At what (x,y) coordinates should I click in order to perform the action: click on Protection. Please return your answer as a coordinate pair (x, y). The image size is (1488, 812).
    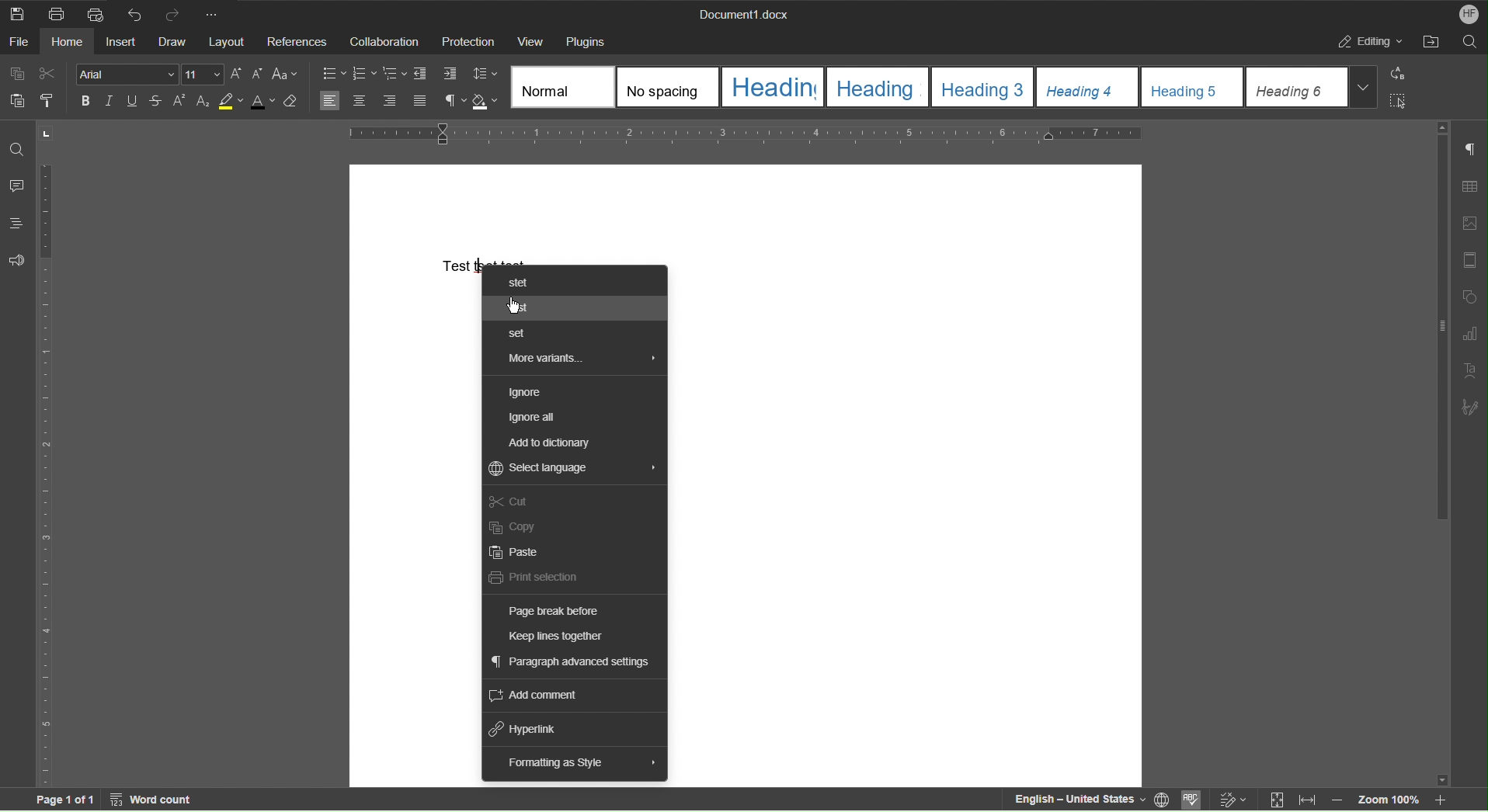
    Looking at the image, I should click on (468, 40).